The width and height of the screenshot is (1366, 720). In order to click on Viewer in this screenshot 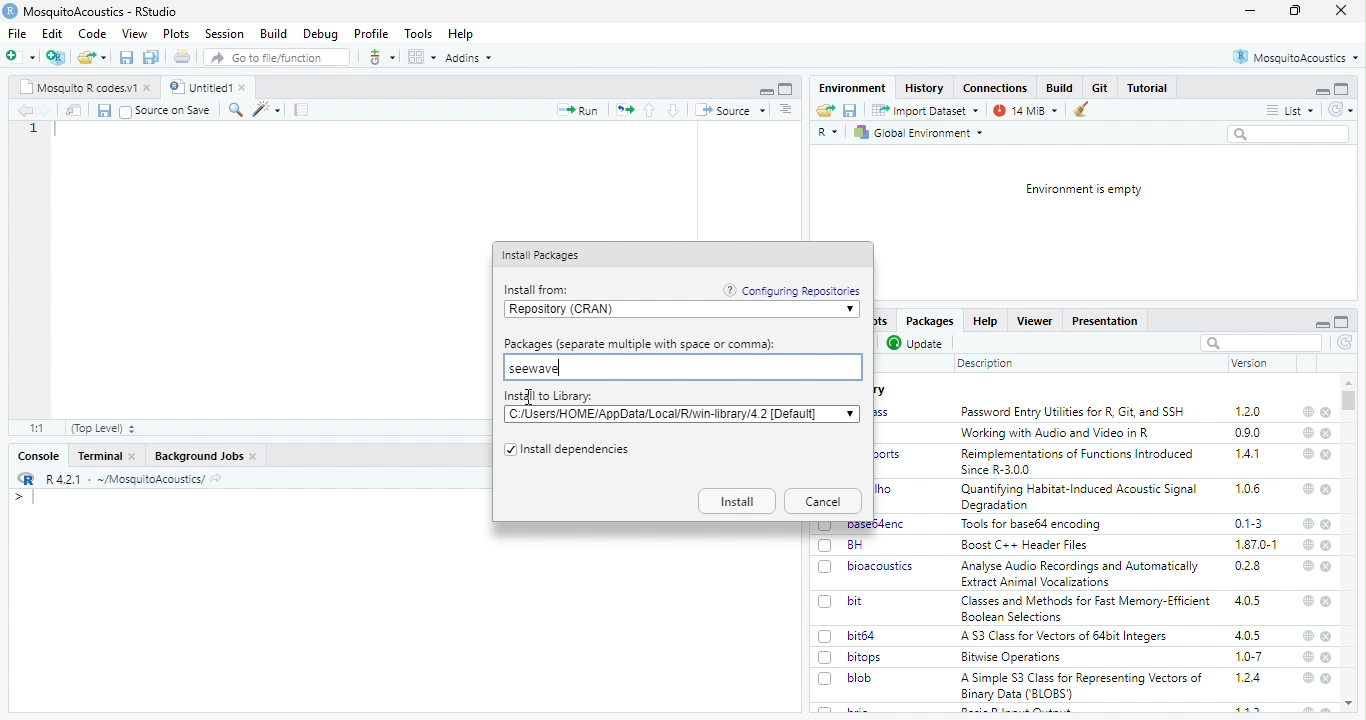, I will do `click(1034, 321)`.